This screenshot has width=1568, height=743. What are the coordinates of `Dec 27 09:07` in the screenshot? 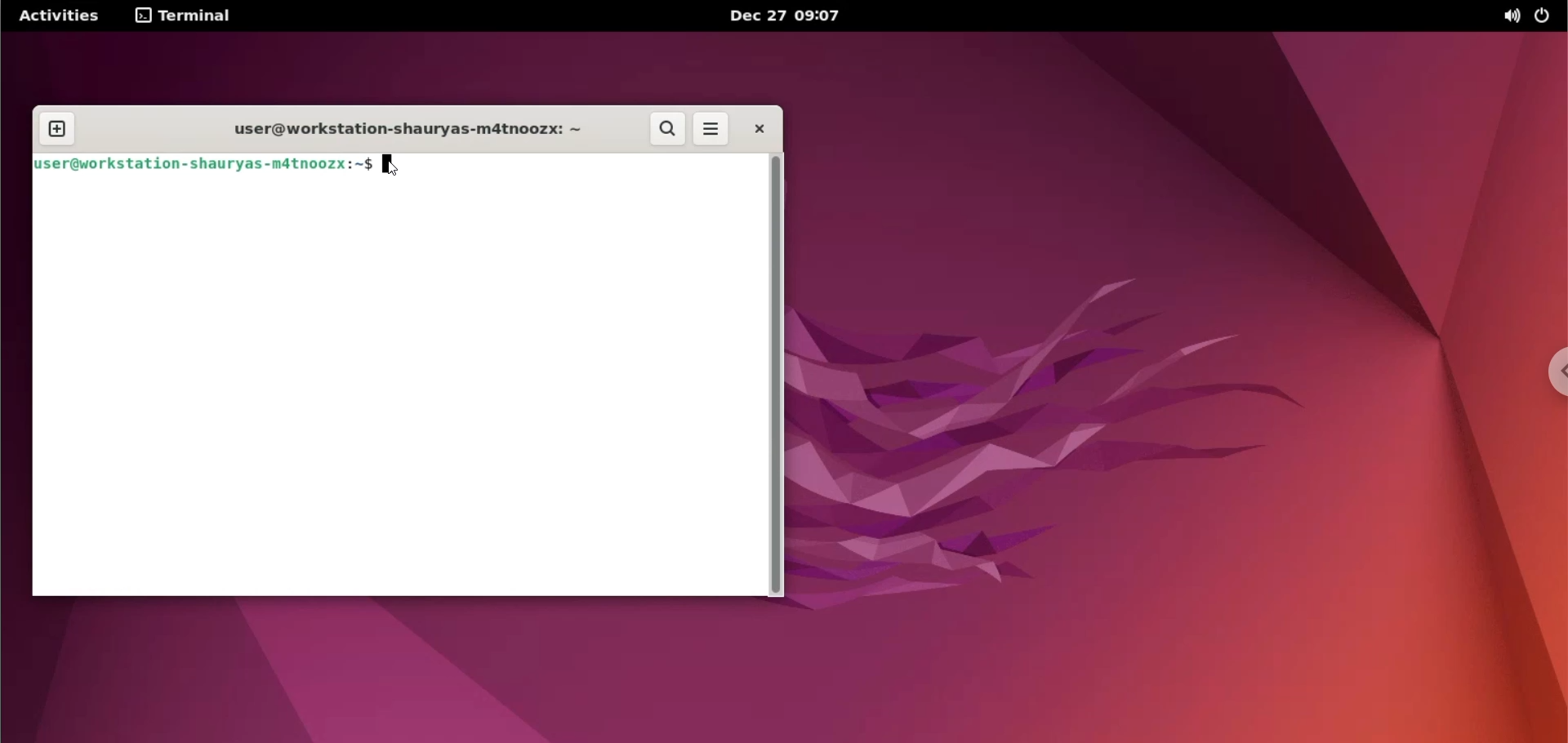 It's located at (791, 17).